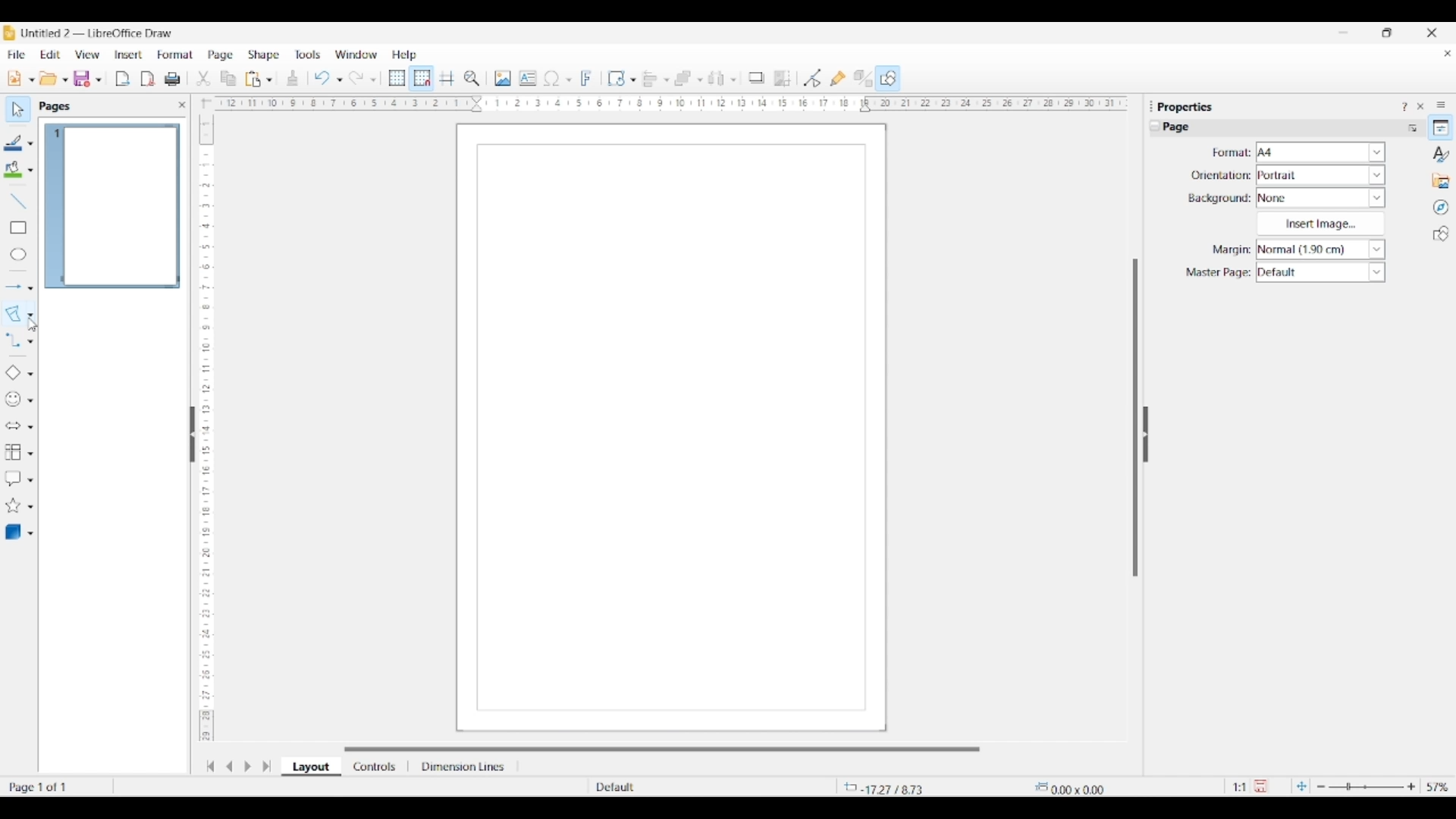 The height and width of the screenshot is (819, 1456). Describe the element at coordinates (397, 79) in the screenshot. I see `Display grid` at that location.